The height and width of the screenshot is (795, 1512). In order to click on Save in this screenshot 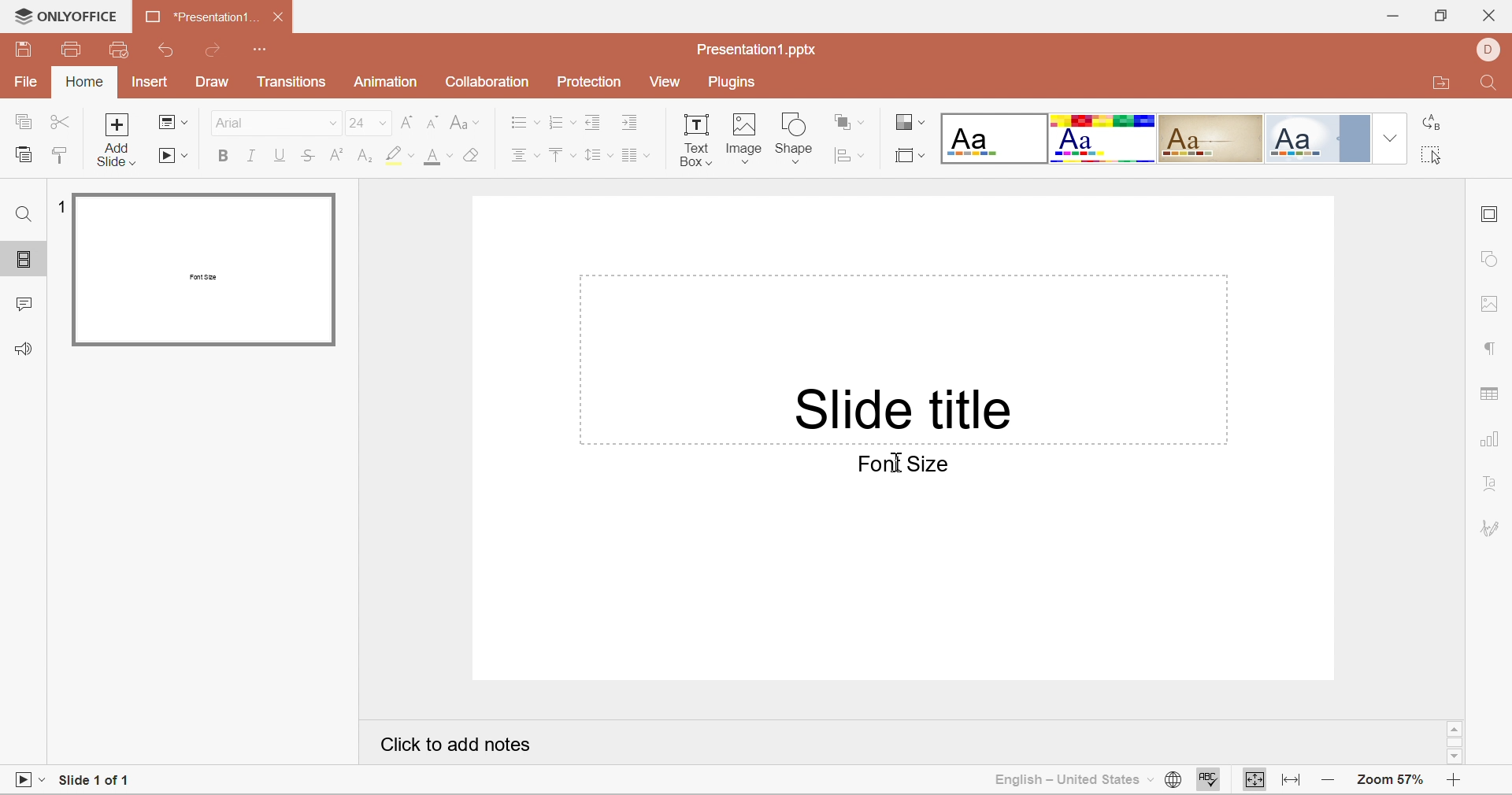, I will do `click(26, 54)`.